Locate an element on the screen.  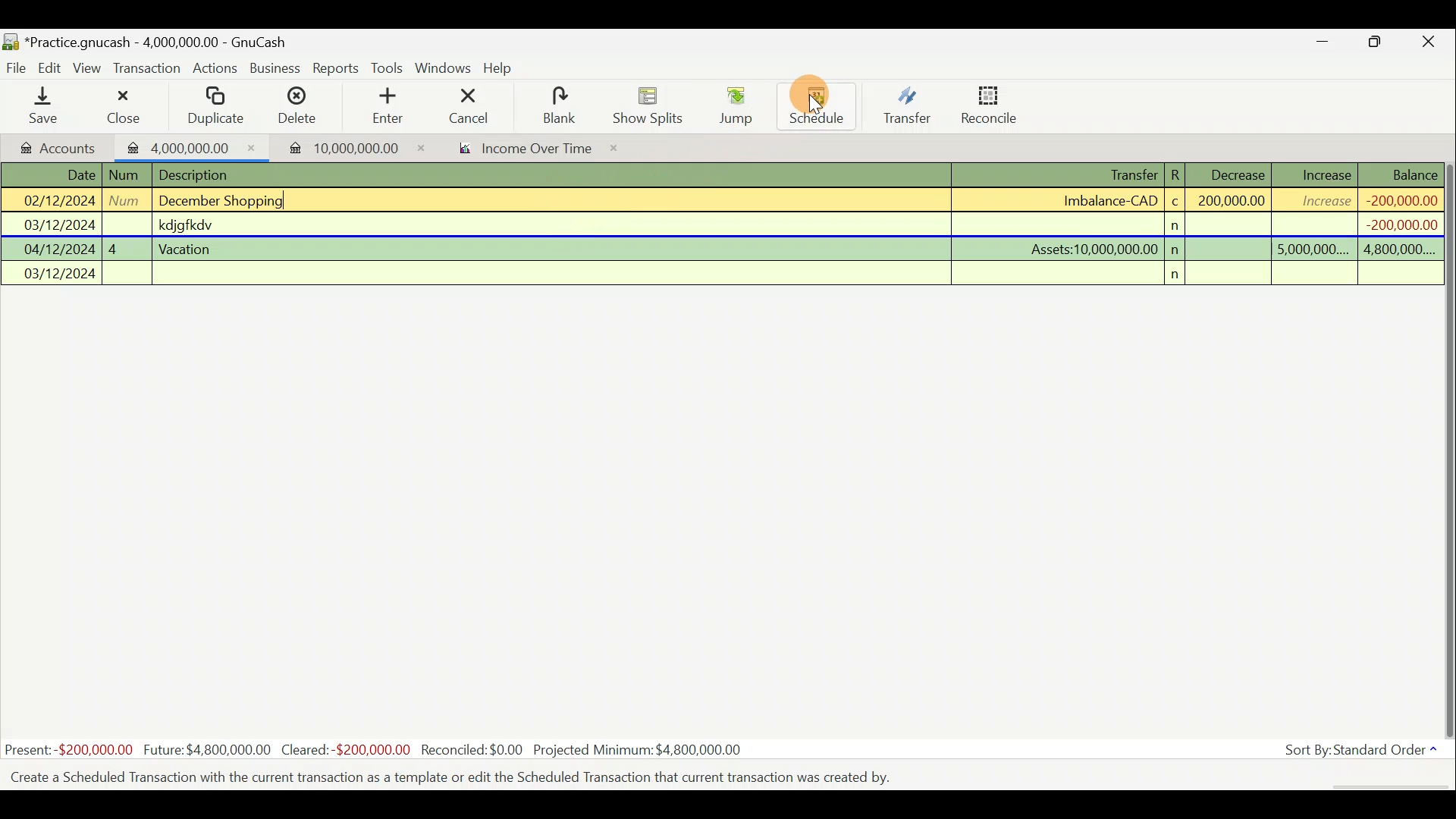
Transaction is located at coordinates (148, 68).